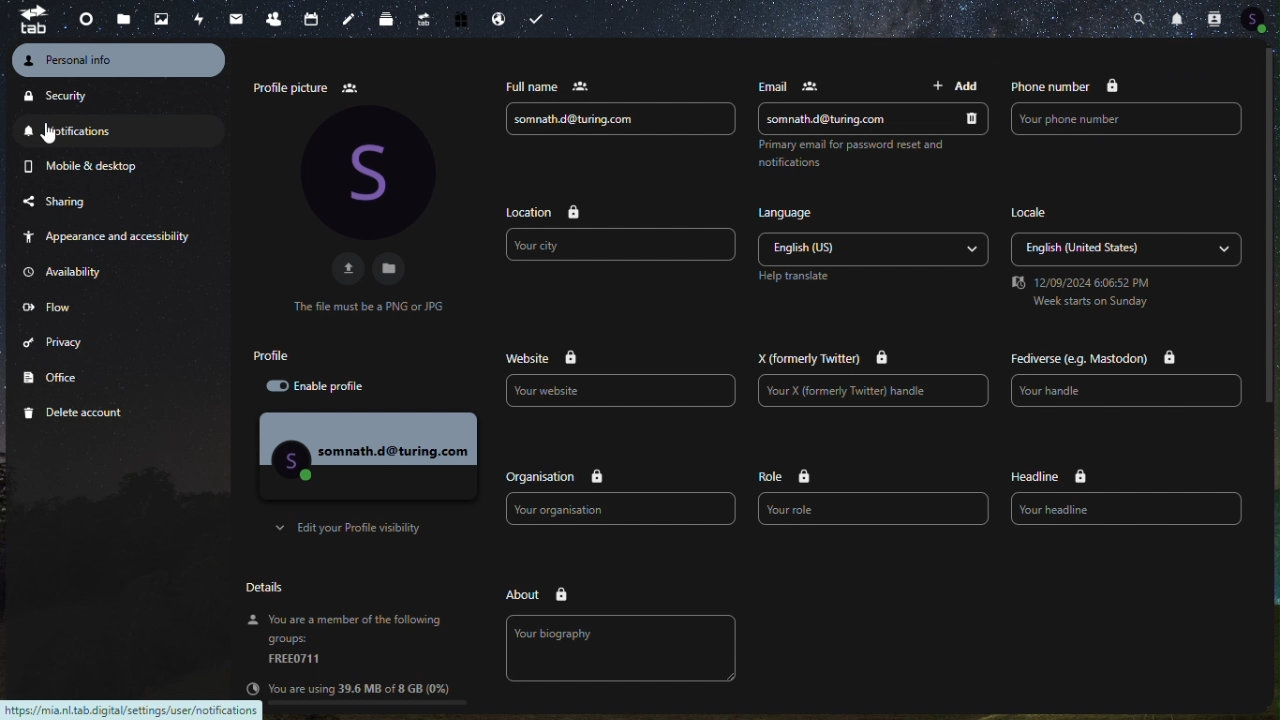  What do you see at coordinates (788, 475) in the screenshot?
I see `role` at bounding box center [788, 475].